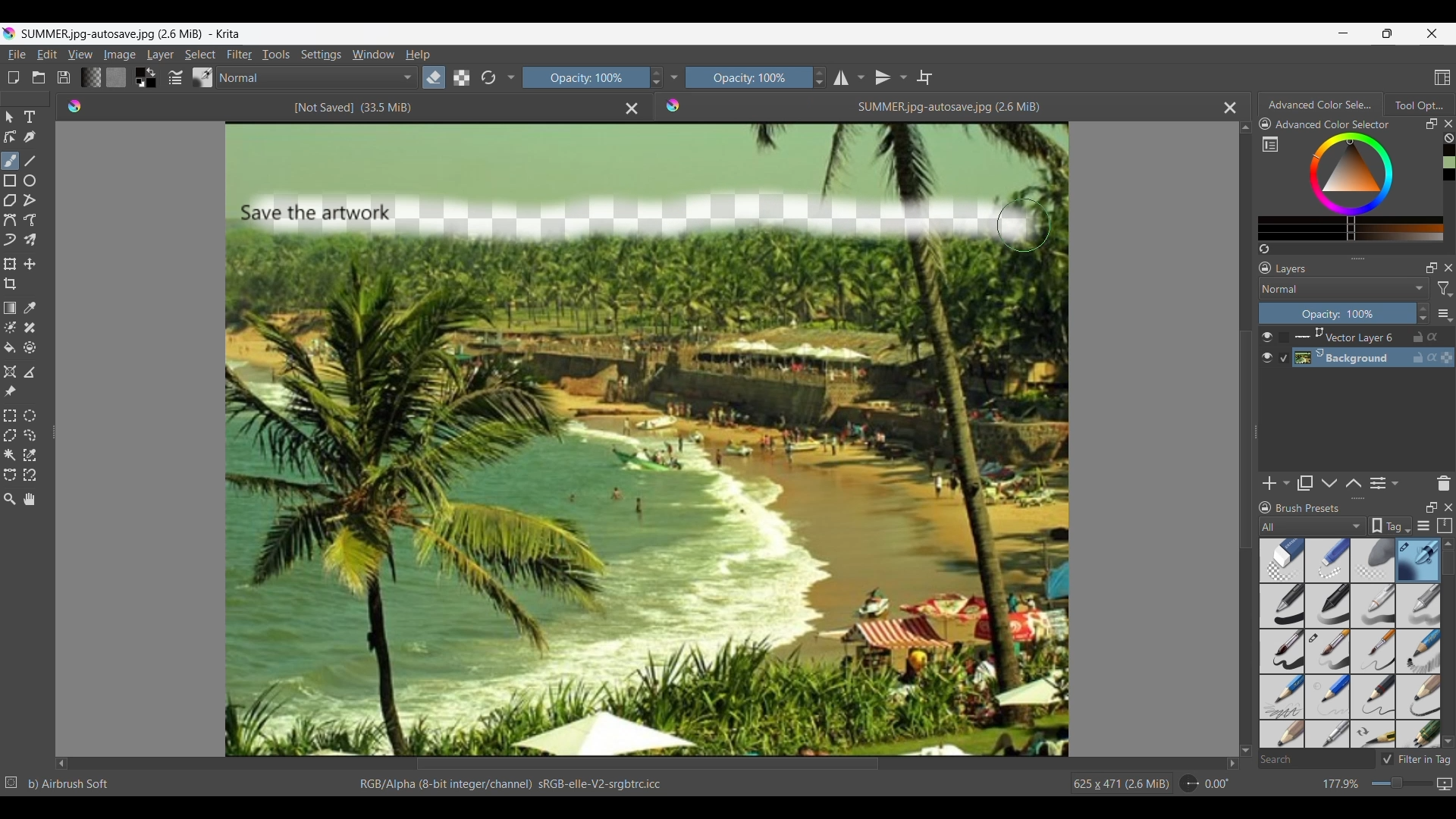 The image size is (1456, 819). What do you see at coordinates (30, 455) in the screenshot?
I see `Similar color selection tool` at bounding box center [30, 455].